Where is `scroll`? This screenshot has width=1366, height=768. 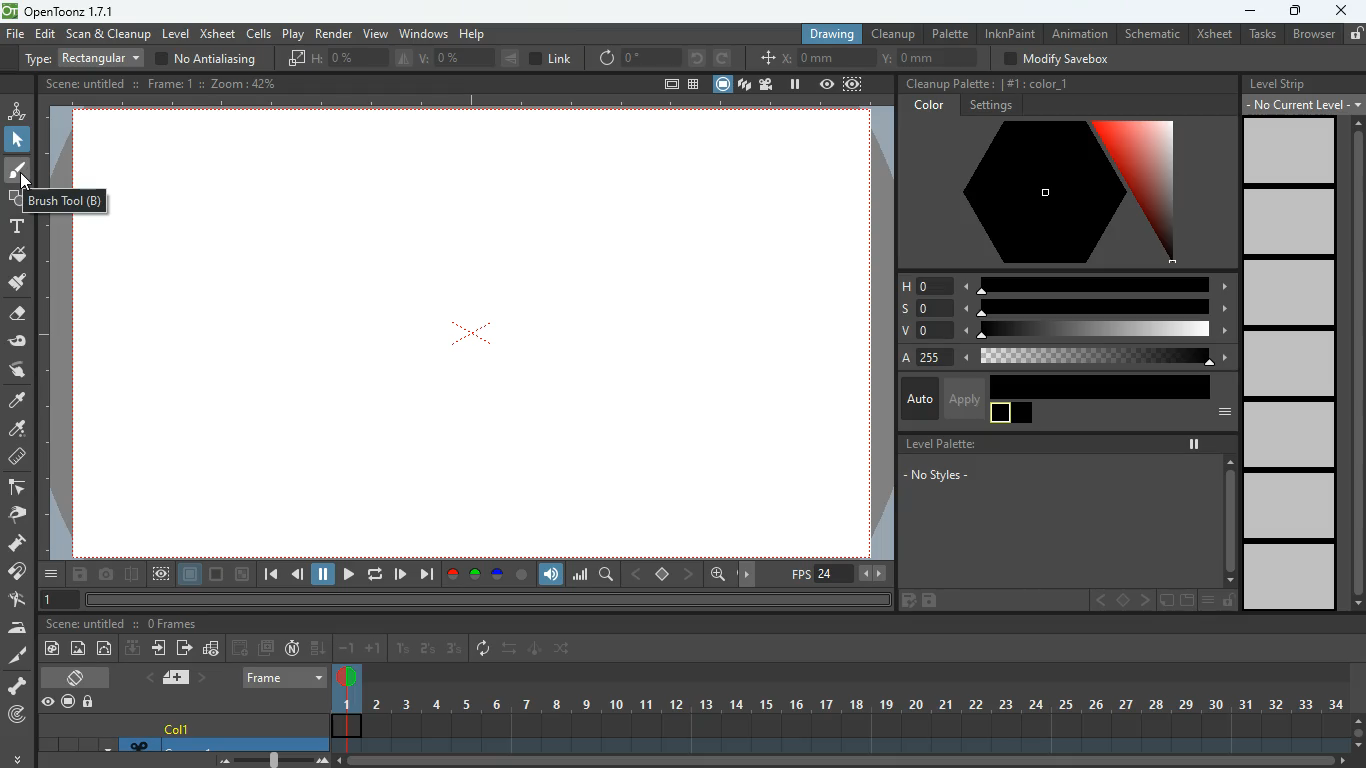 scroll is located at coordinates (1358, 730).